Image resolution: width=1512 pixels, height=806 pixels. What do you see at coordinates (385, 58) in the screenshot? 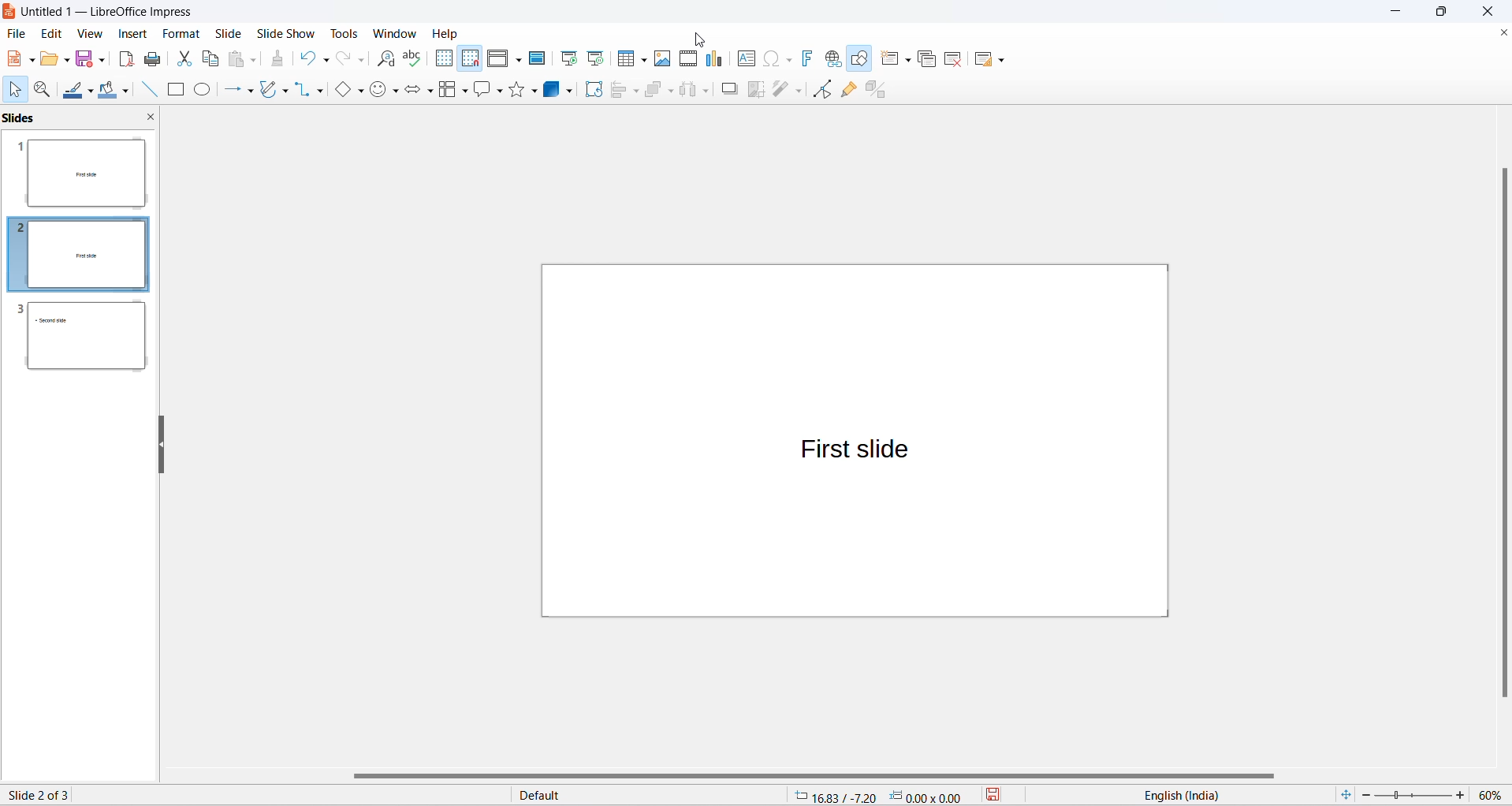
I see `find and replace` at bounding box center [385, 58].